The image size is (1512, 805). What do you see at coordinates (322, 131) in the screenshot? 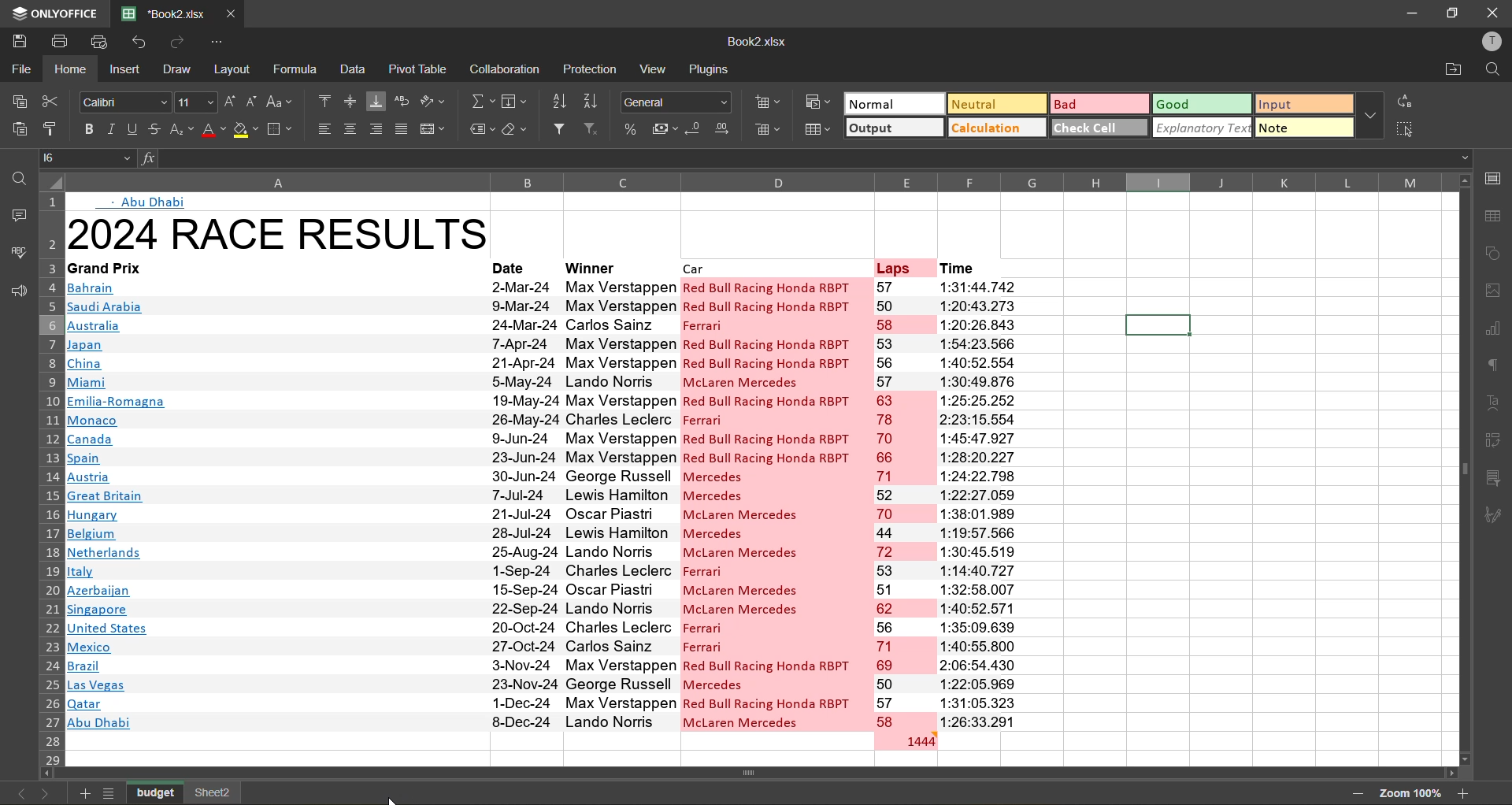
I see `align left` at bounding box center [322, 131].